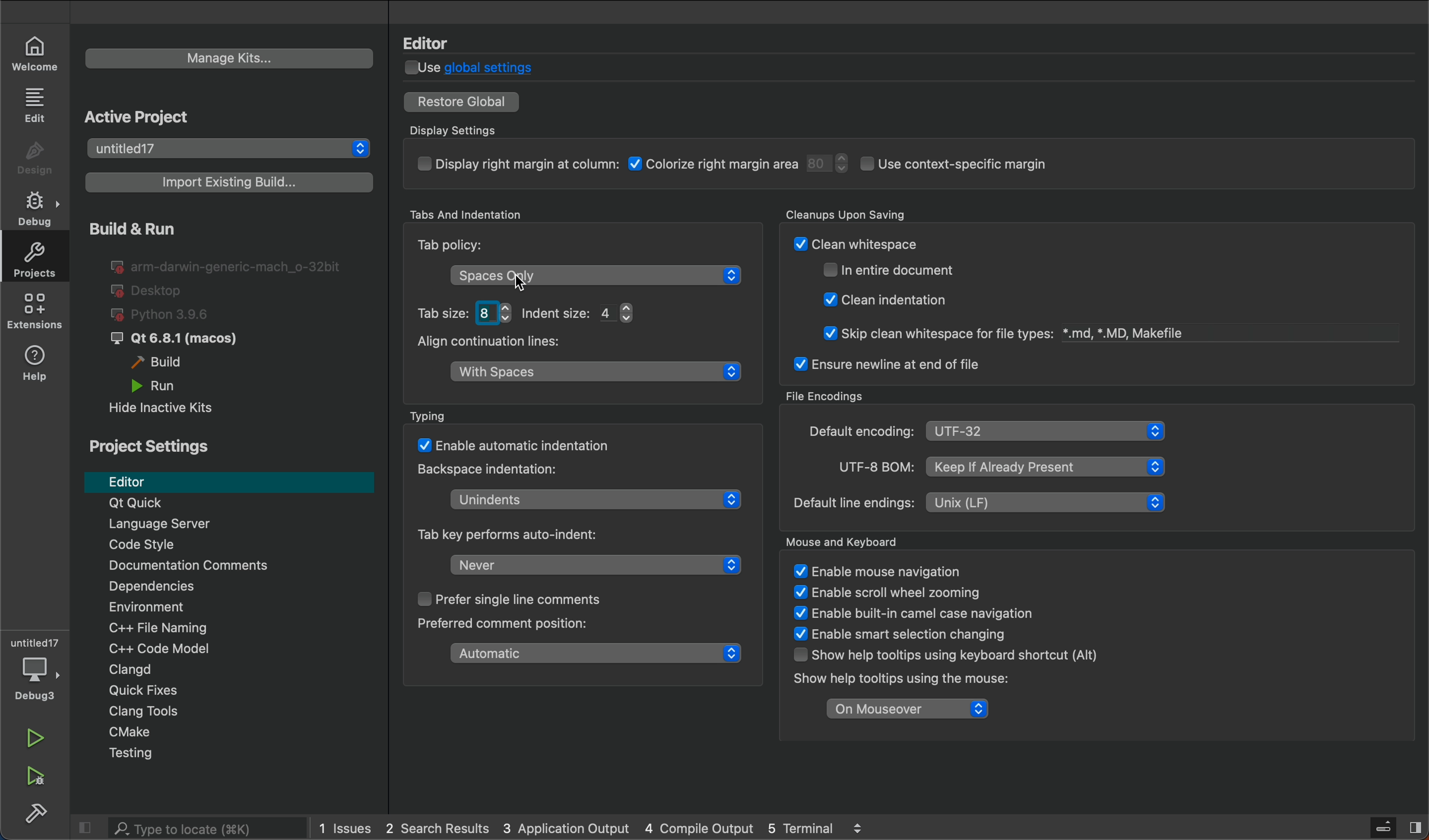 The width and height of the screenshot is (1429, 840). I want to click on language server, so click(216, 525).